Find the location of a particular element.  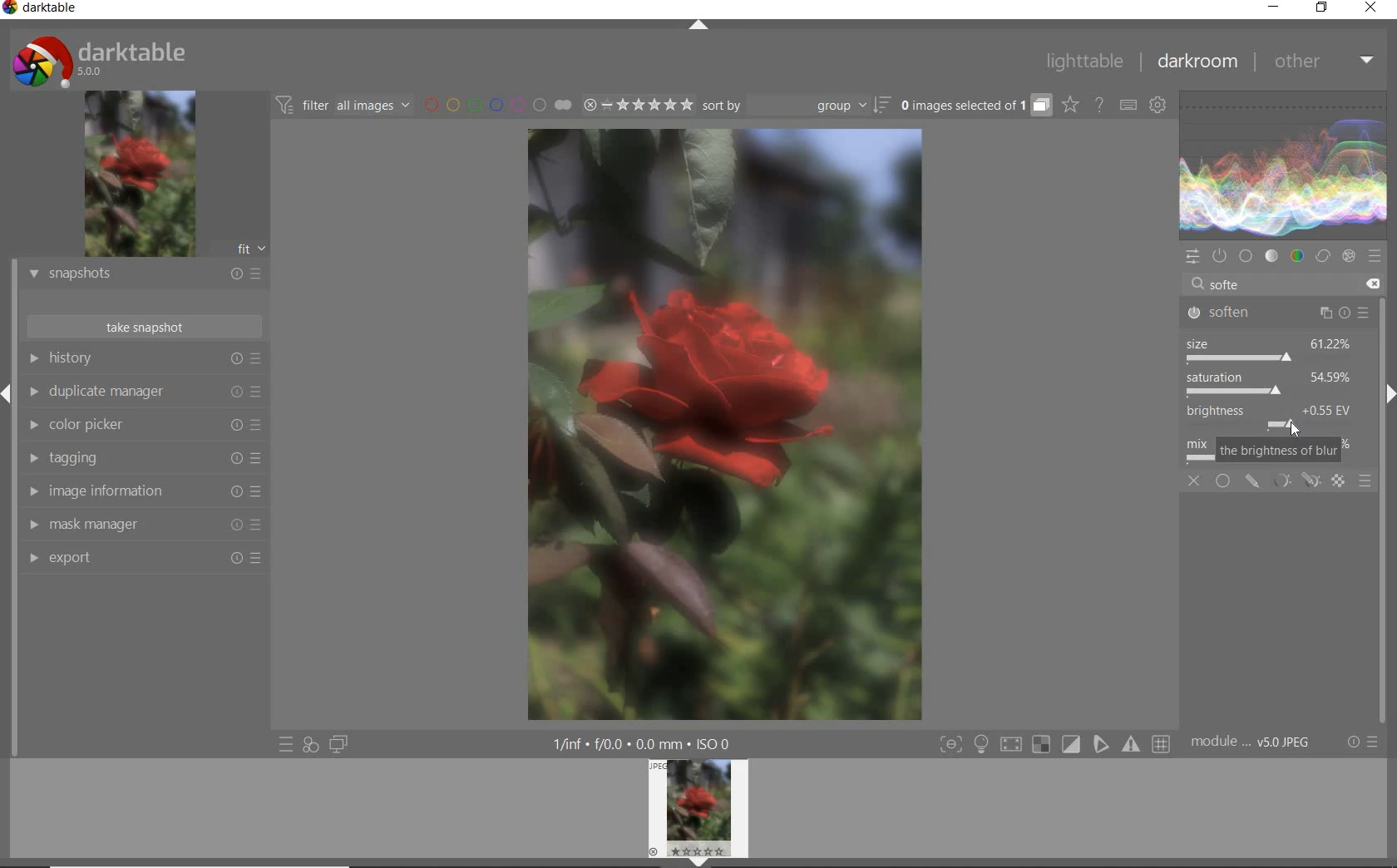

soften is located at coordinates (1281, 312).